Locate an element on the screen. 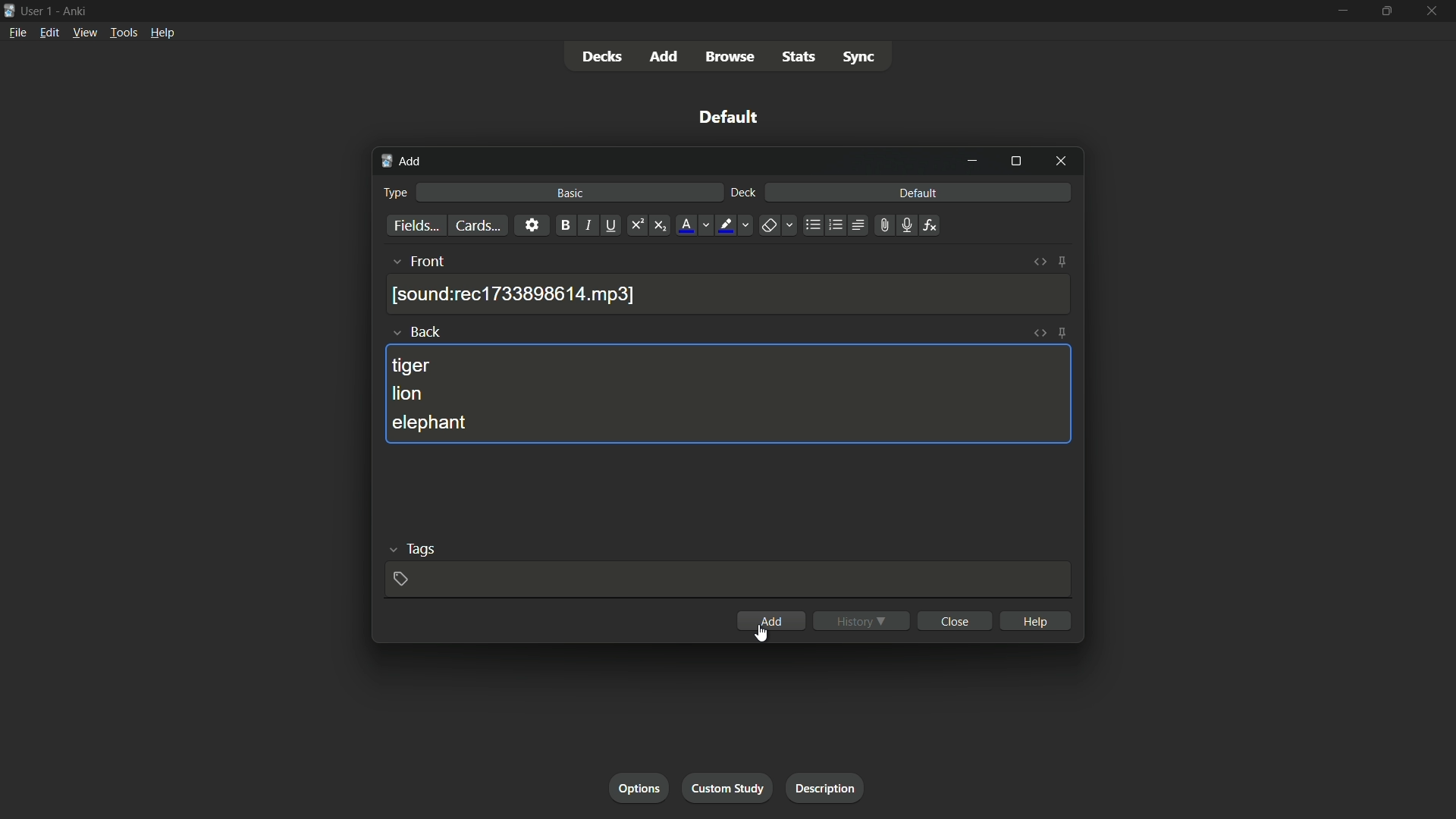 Image resolution: width=1456 pixels, height=819 pixels. back is located at coordinates (428, 331).